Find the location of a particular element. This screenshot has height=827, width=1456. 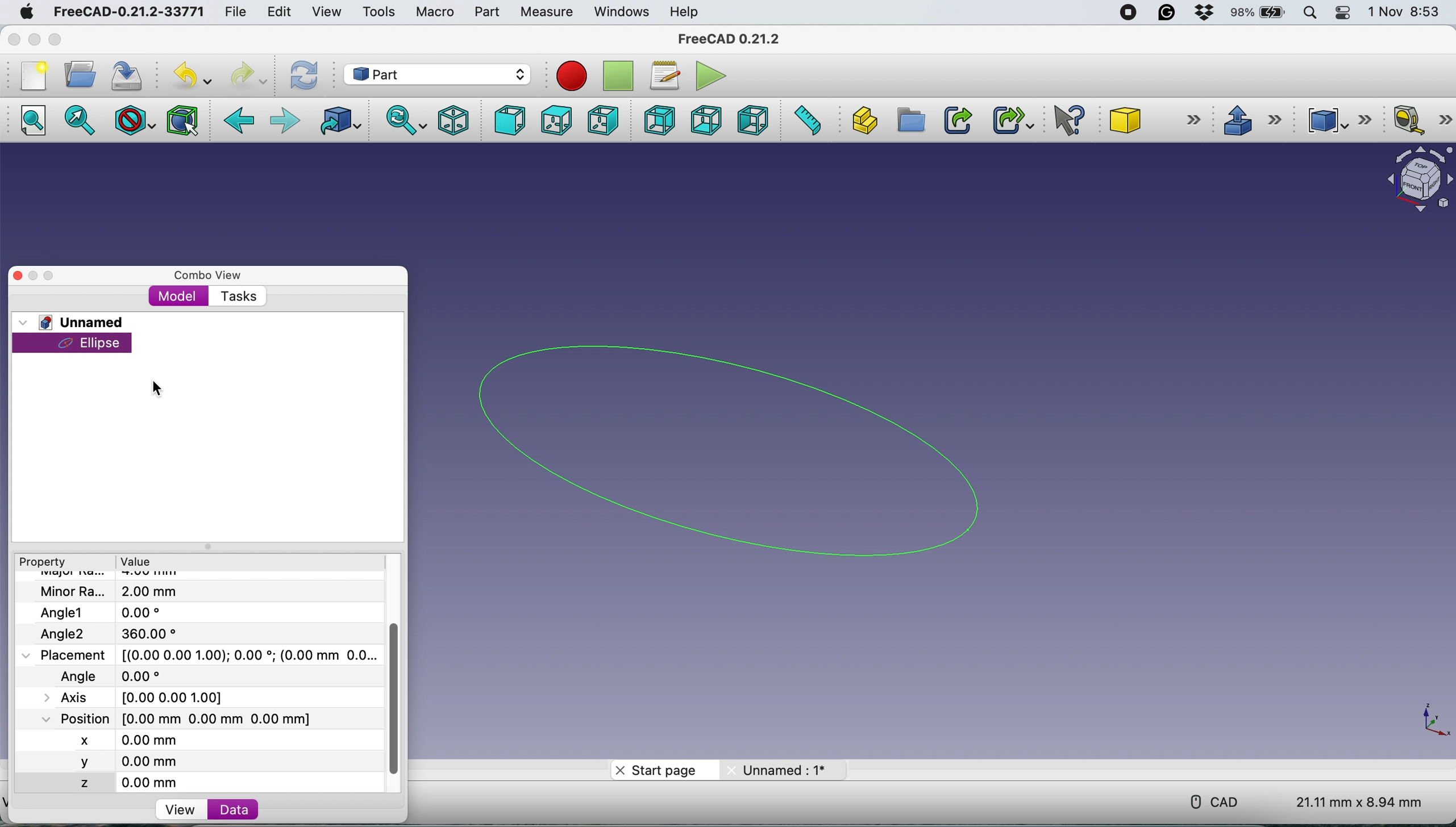

value is located at coordinates (138, 563).